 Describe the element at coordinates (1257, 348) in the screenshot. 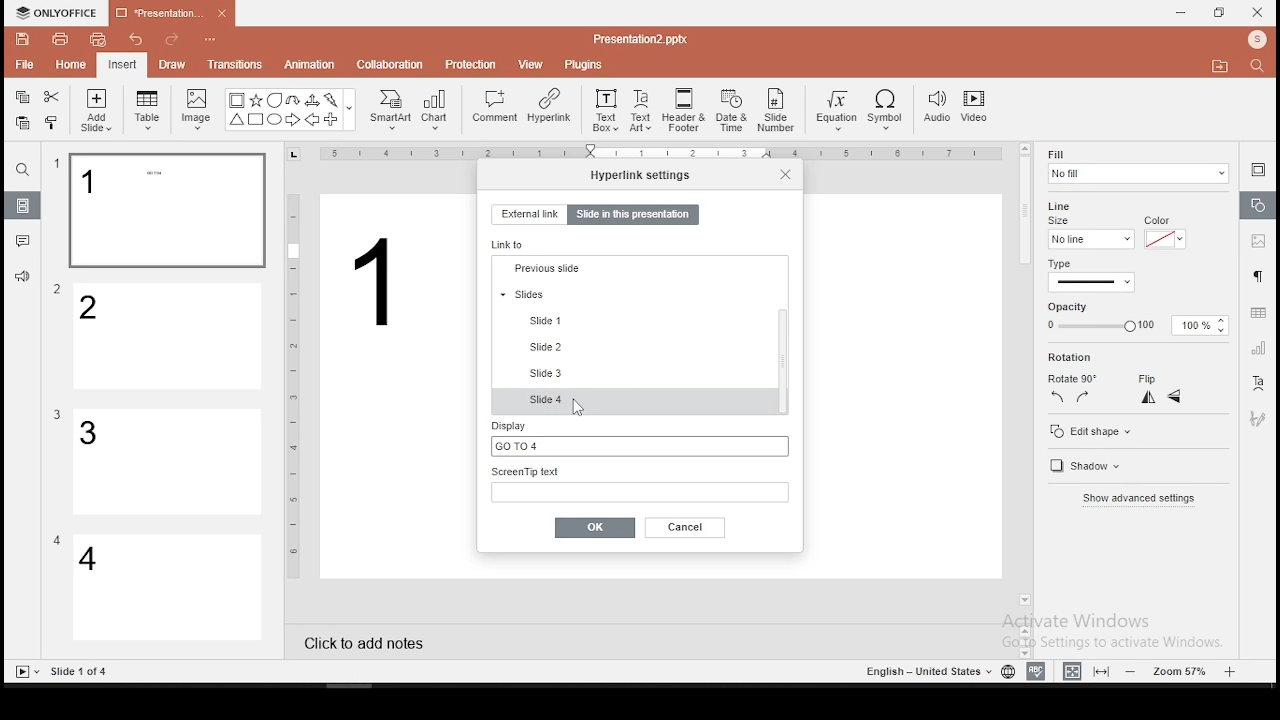

I see `chart settings` at that location.